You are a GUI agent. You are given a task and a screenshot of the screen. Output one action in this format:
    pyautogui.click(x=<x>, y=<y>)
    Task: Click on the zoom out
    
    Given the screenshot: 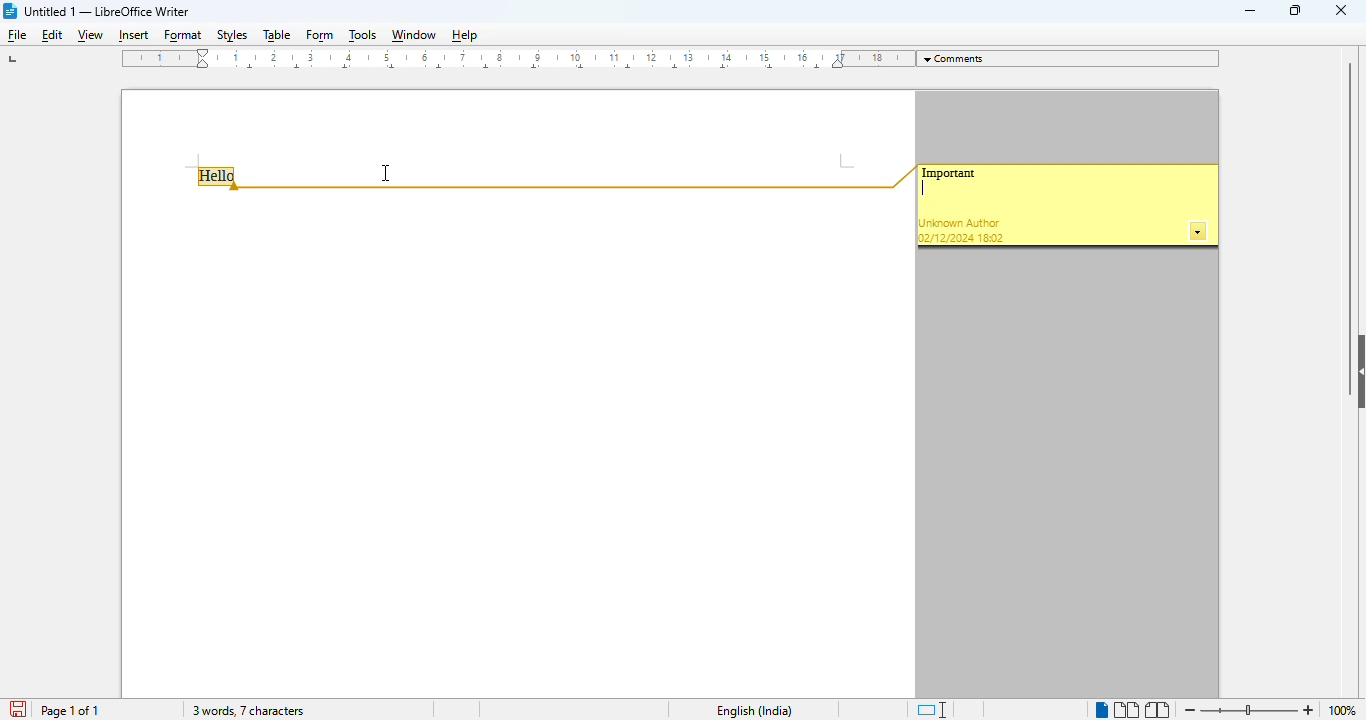 What is the action you would take?
    pyautogui.click(x=1191, y=710)
    